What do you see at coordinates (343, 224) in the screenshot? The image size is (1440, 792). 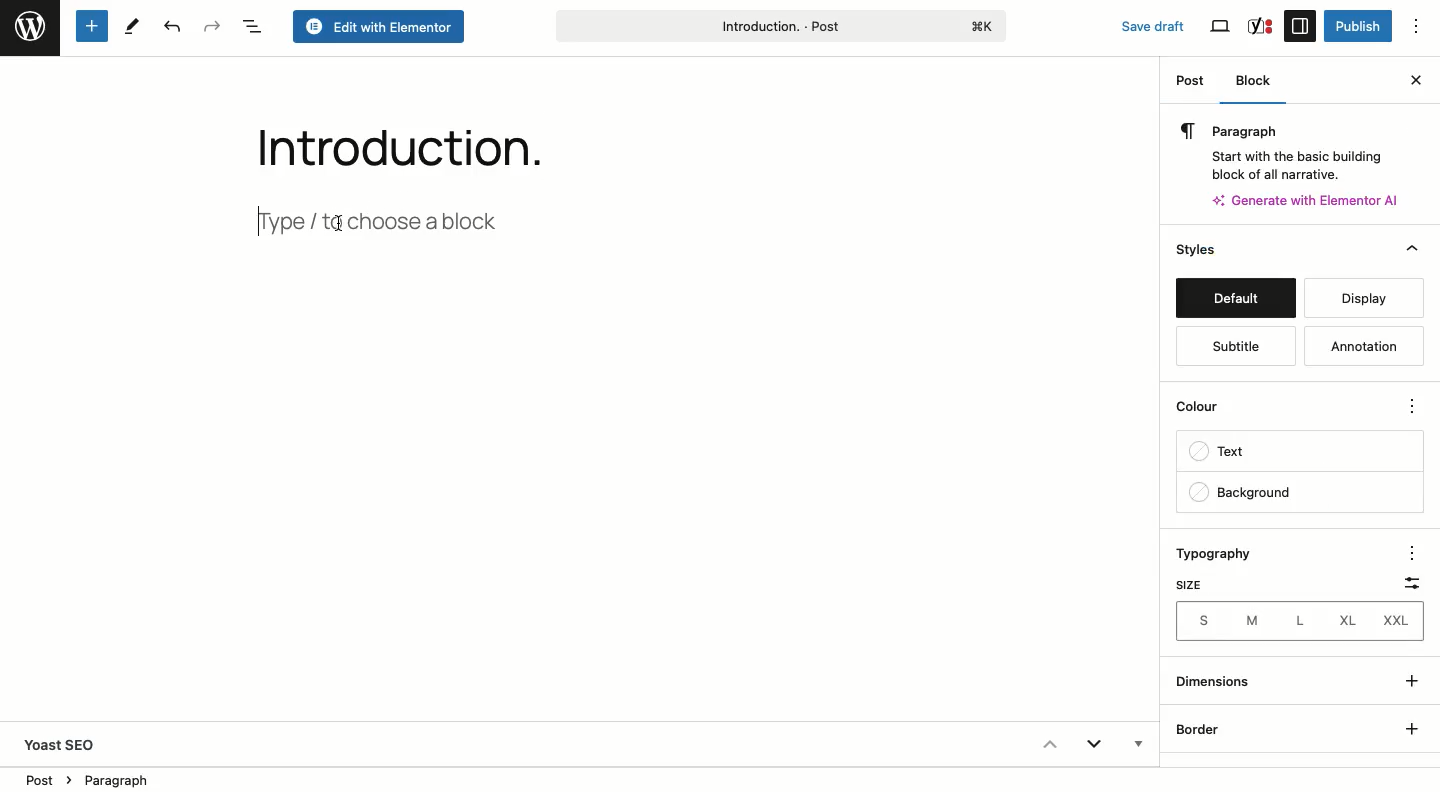 I see `Cursor` at bounding box center [343, 224].